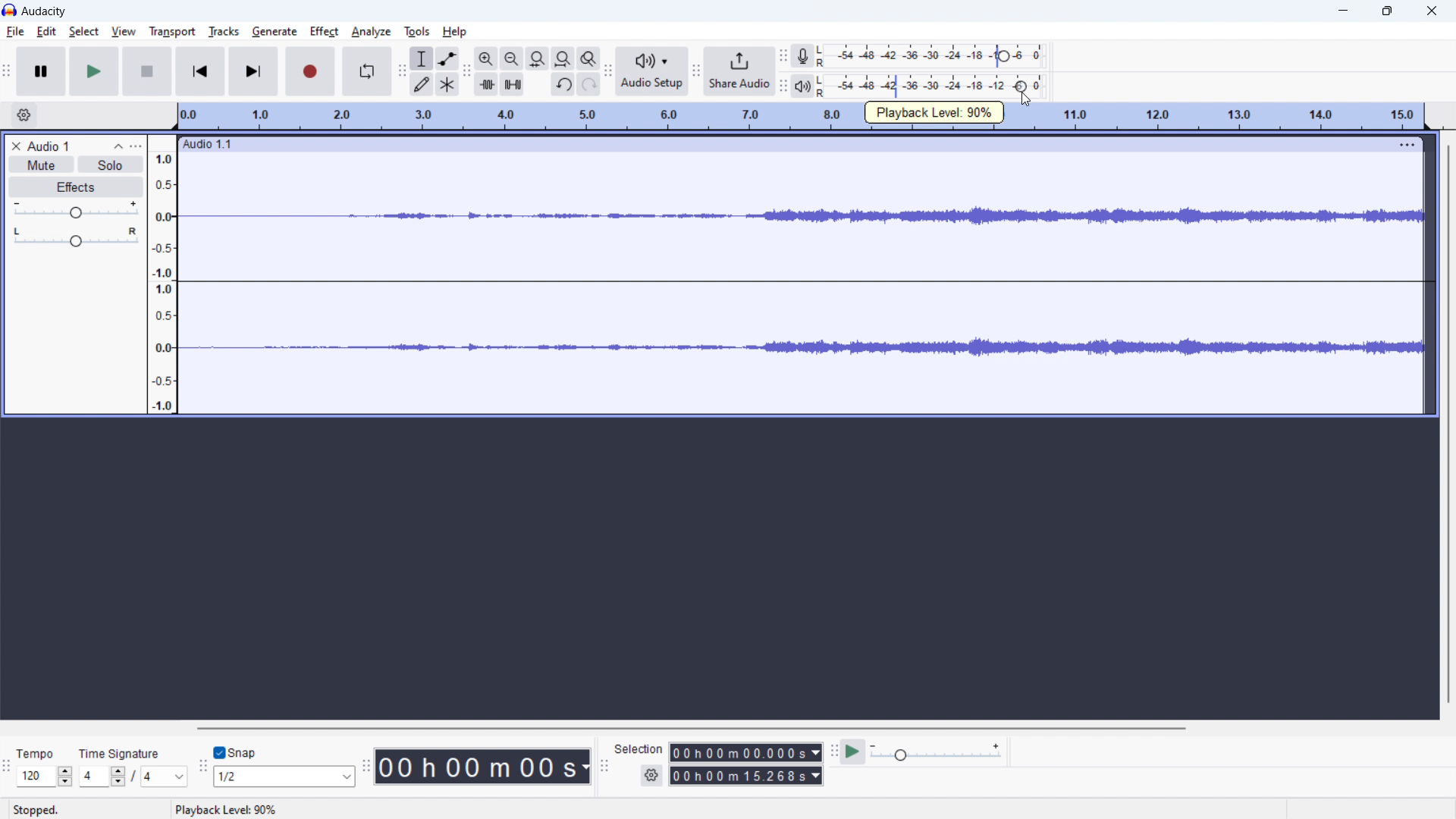 The width and height of the screenshot is (1456, 819). Describe the element at coordinates (589, 84) in the screenshot. I see `redo` at that location.